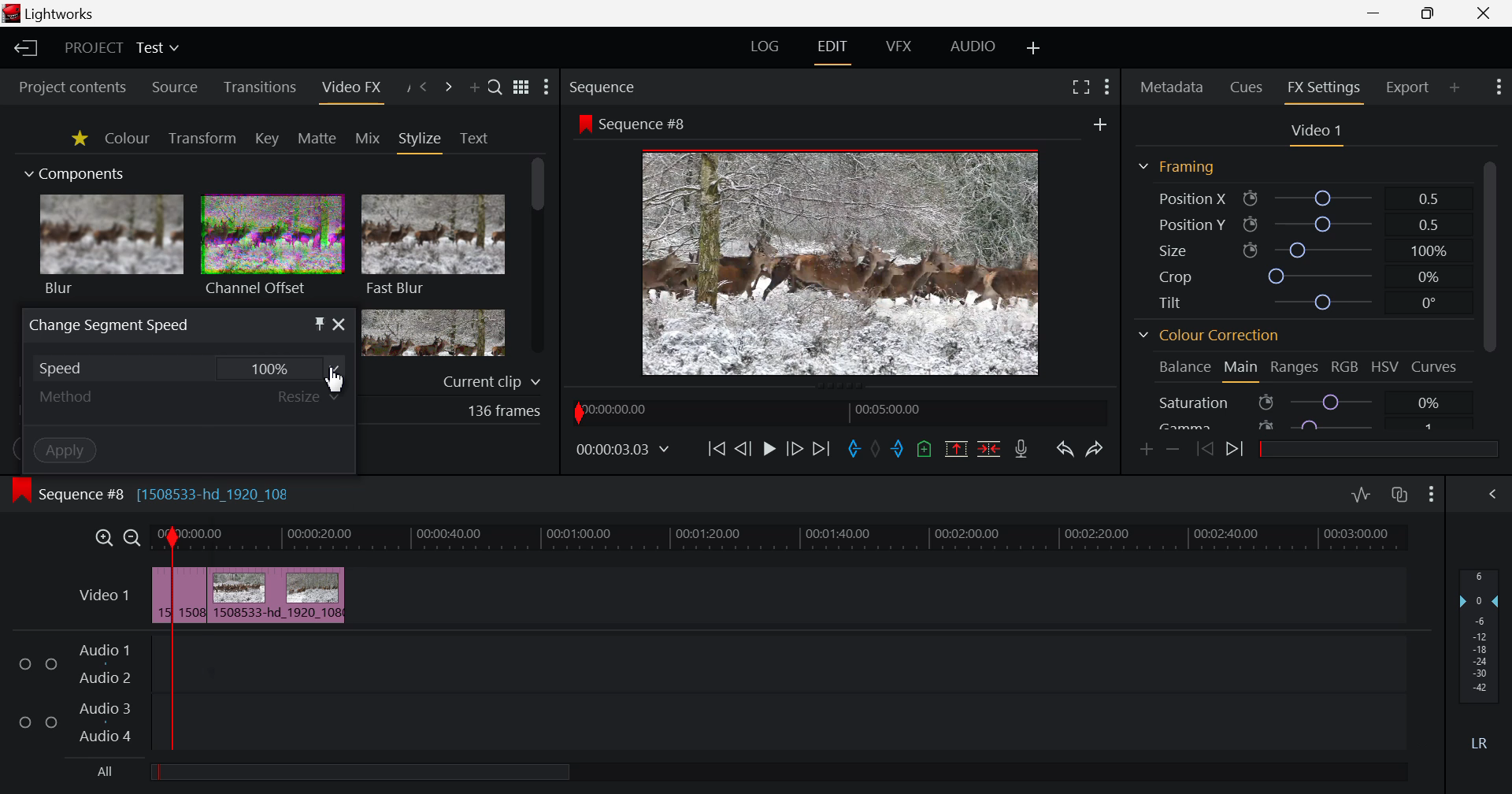 Image resolution: width=1512 pixels, height=794 pixels. What do you see at coordinates (1102, 124) in the screenshot?
I see `add` at bounding box center [1102, 124].